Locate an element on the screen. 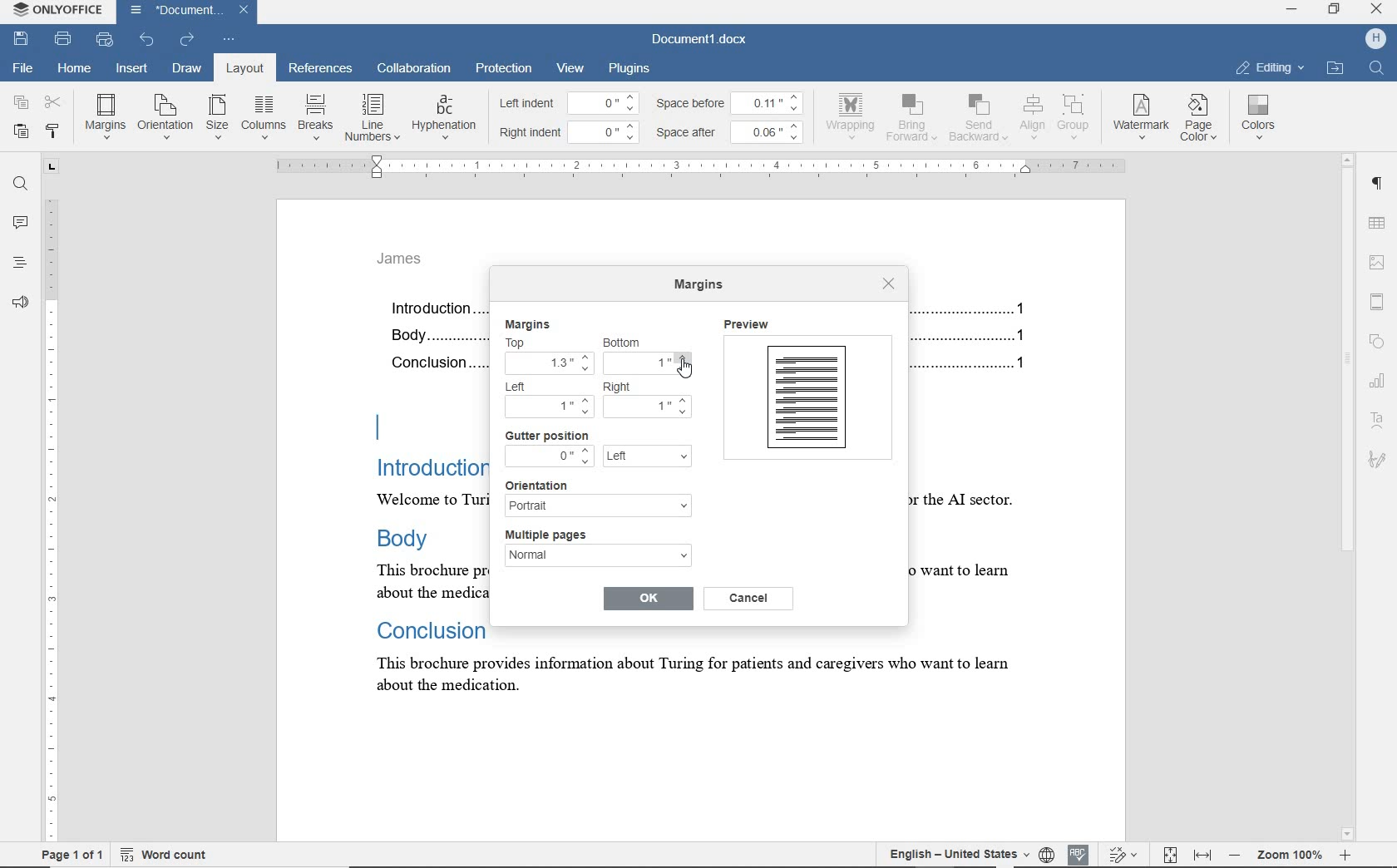 Image resolution: width=1397 pixels, height=868 pixels. header & footer is located at coordinates (1381, 303).